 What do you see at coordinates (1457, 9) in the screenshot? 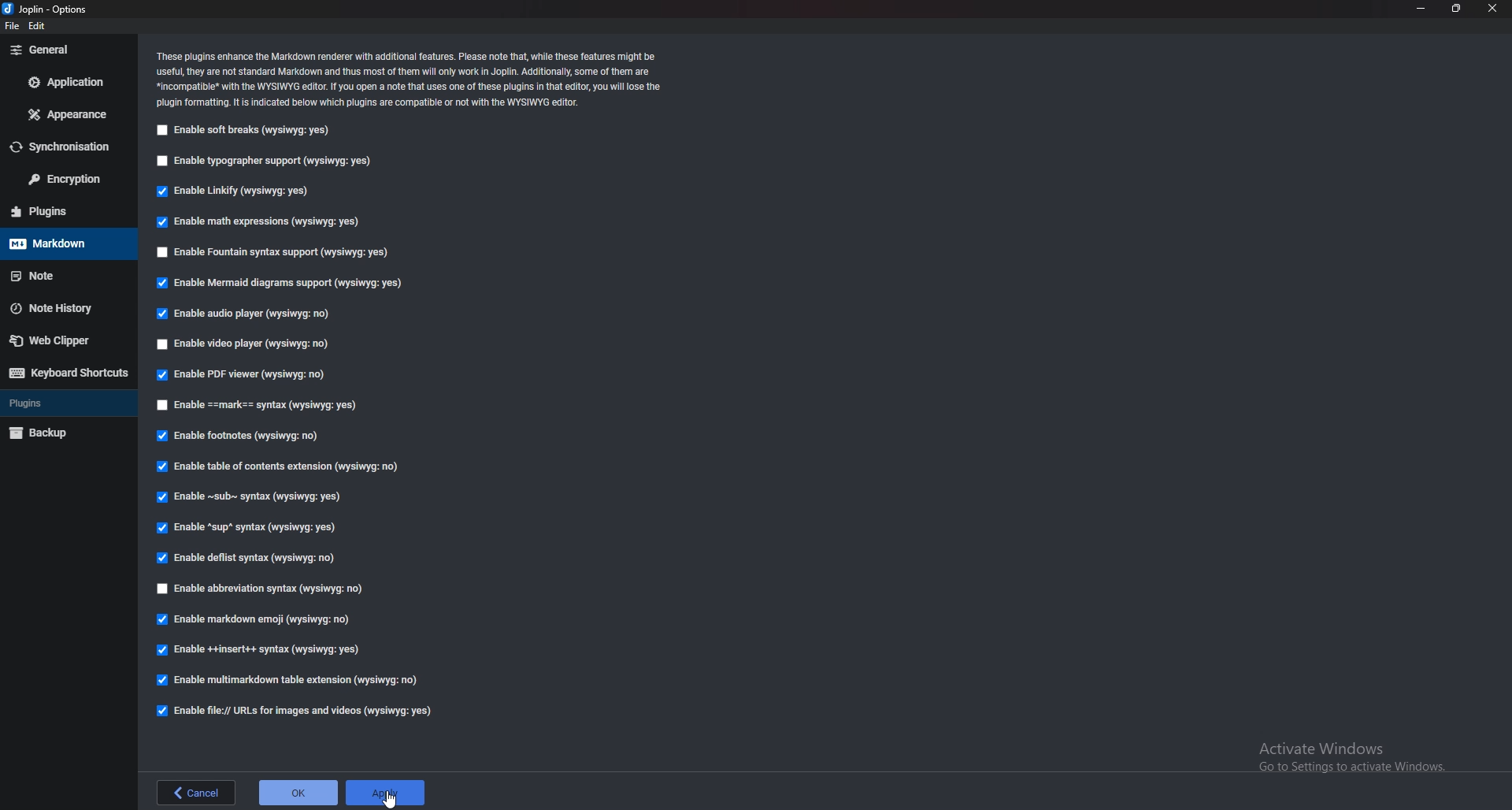
I see `resize` at bounding box center [1457, 9].